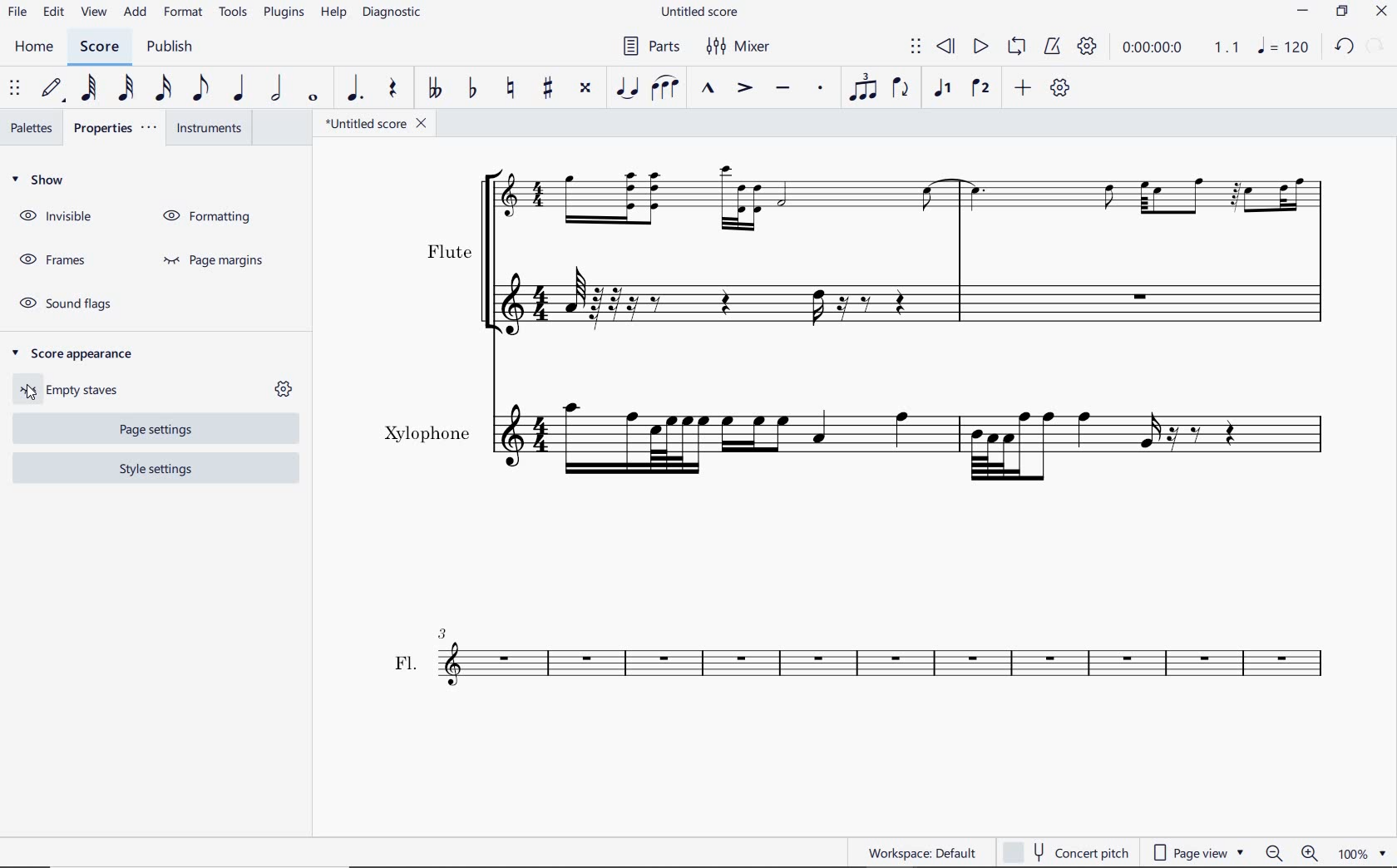  What do you see at coordinates (284, 390) in the screenshot?
I see `settings` at bounding box center [284, 390].